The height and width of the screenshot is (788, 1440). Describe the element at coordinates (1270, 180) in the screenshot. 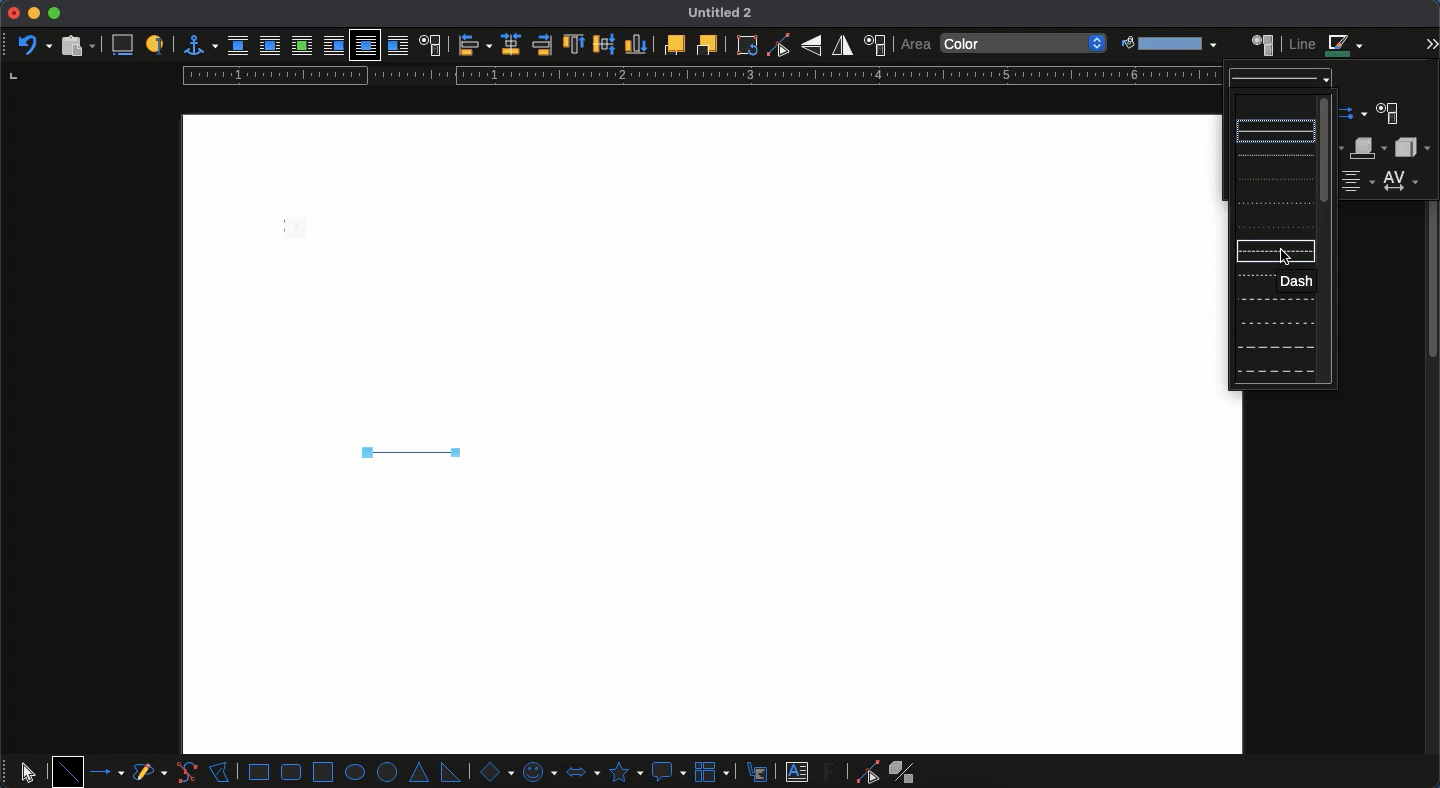

I see `Dot (rounded)` at that location.